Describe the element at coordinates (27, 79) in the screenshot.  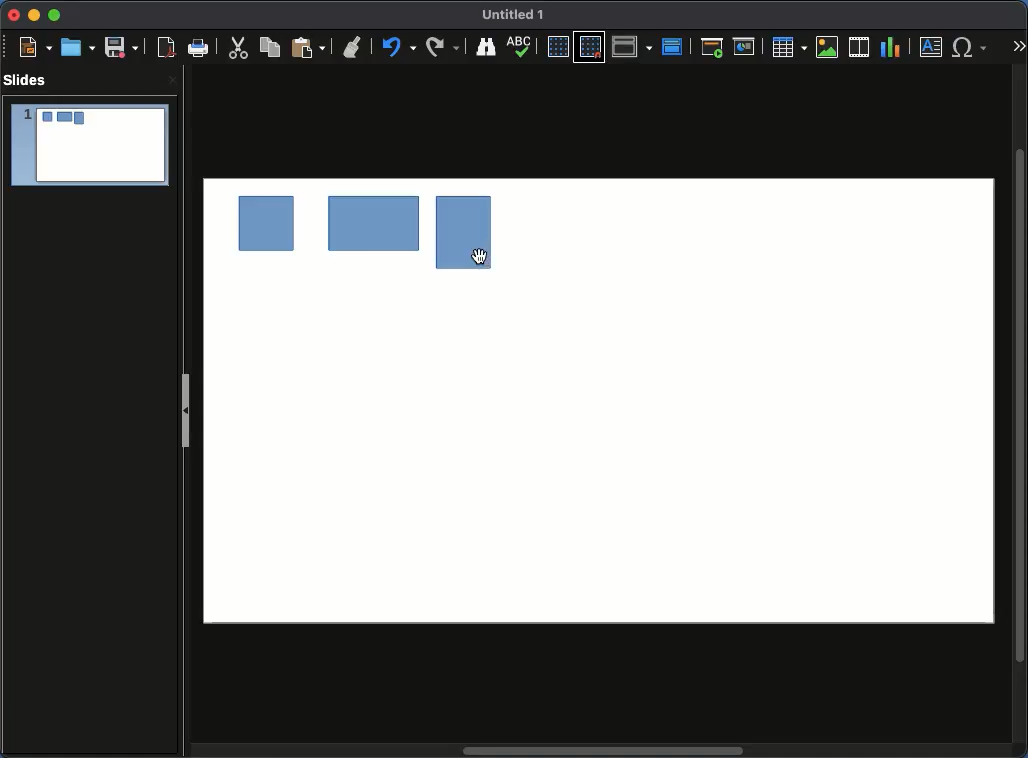
I see `Slides` at that location.